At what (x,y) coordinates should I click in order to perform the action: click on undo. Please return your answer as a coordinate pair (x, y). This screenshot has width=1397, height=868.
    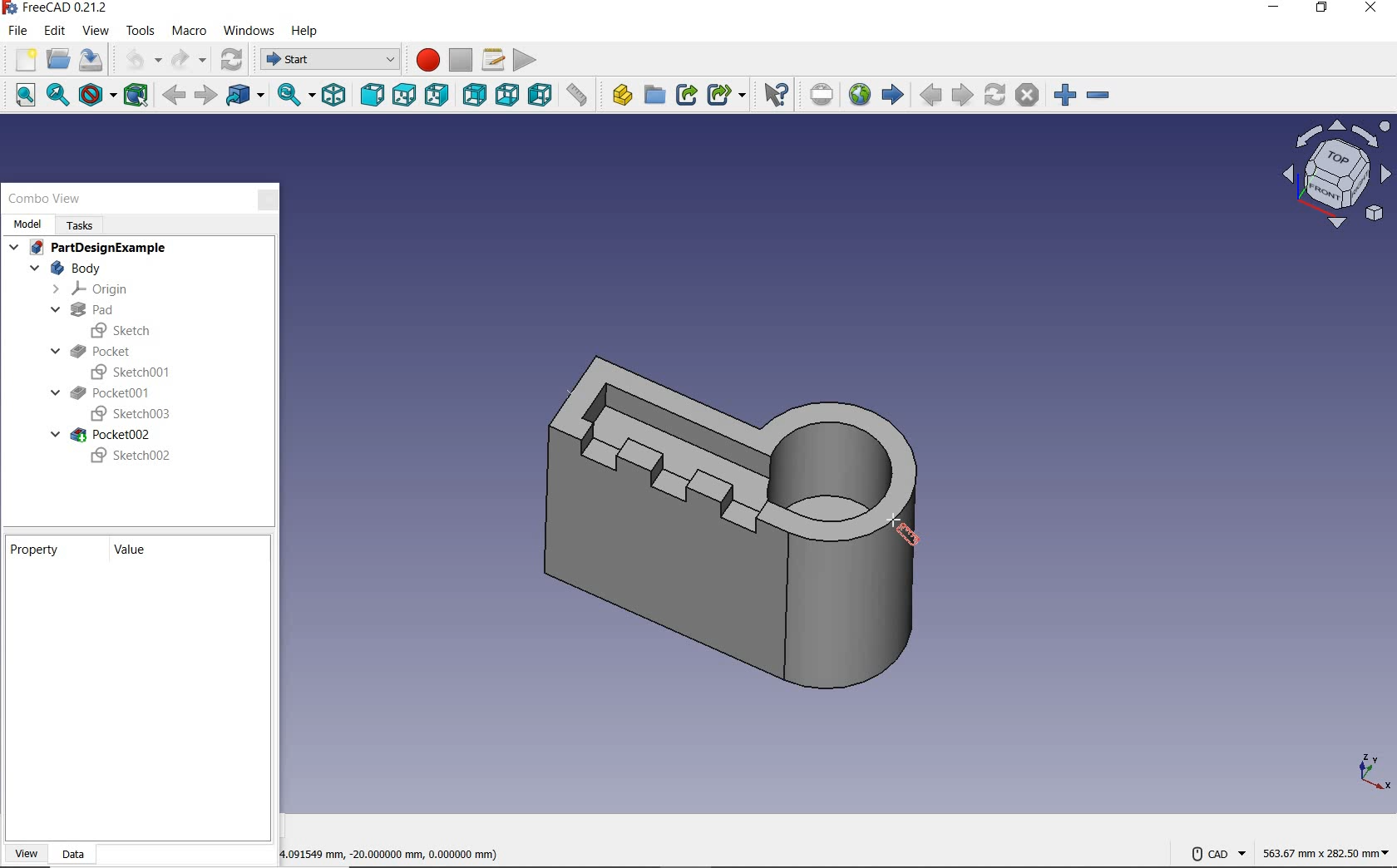
    Looking at the image, I should click on (137, 62).